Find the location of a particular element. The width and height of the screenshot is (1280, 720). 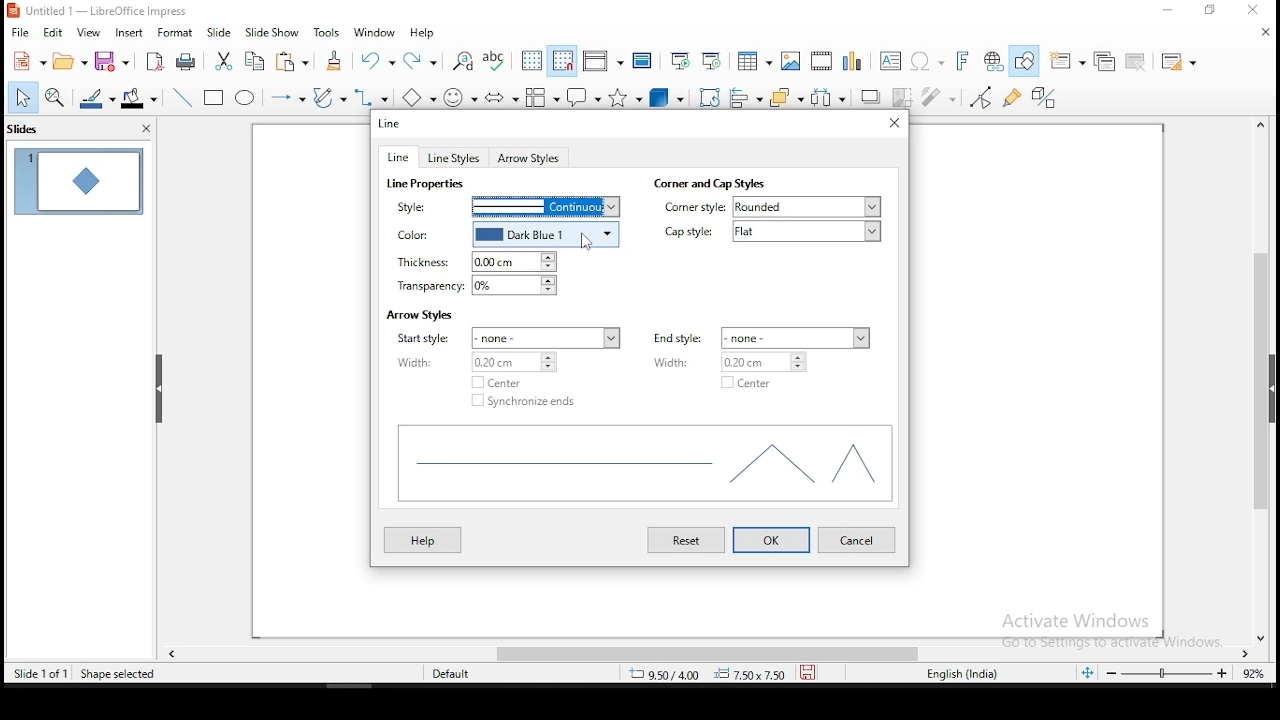

arrow styles is located at coordinates (419, 315).